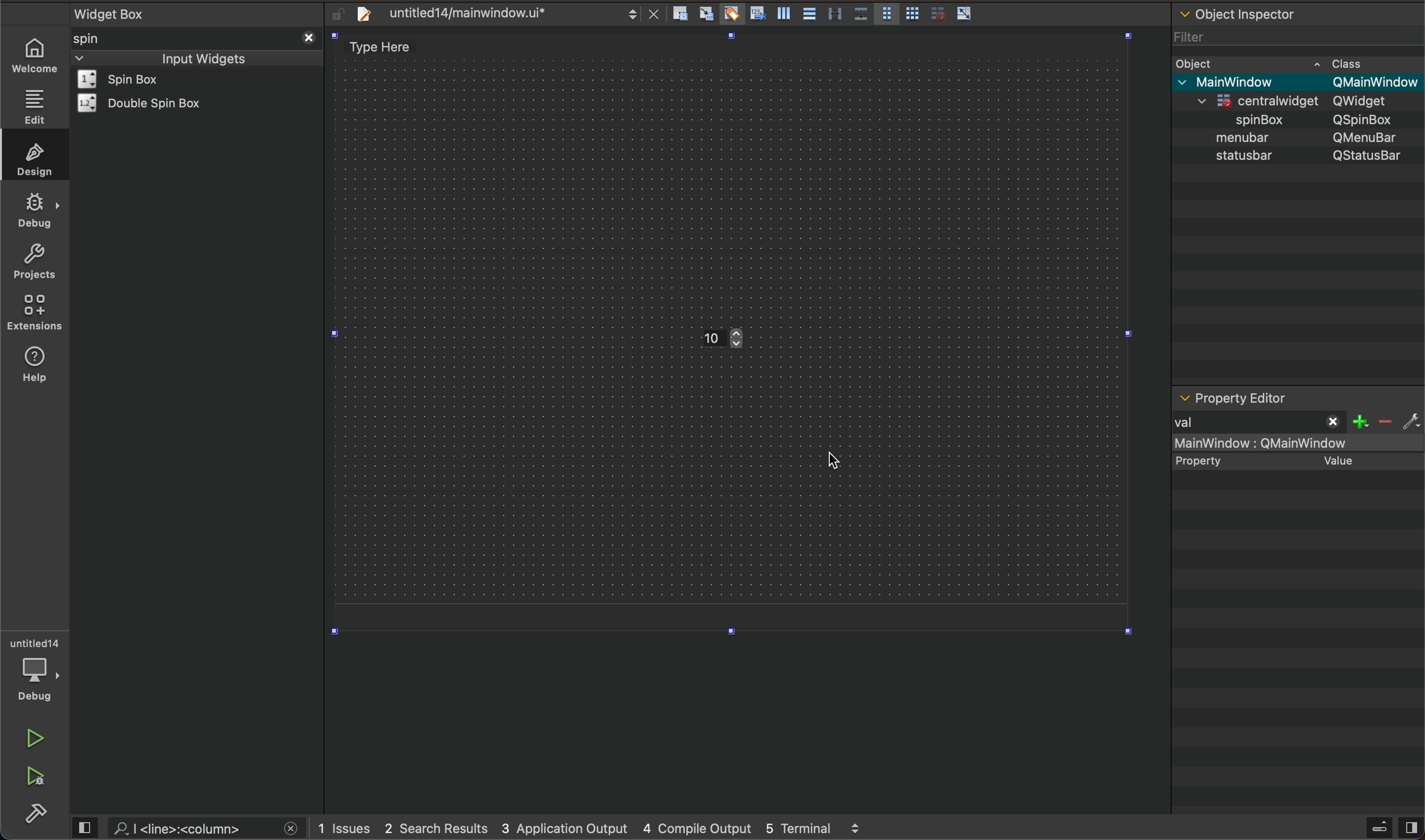  What do you see at coordinates (1198, 62) in the screenshot?
I see `object` at bounding box center [1198, 62].